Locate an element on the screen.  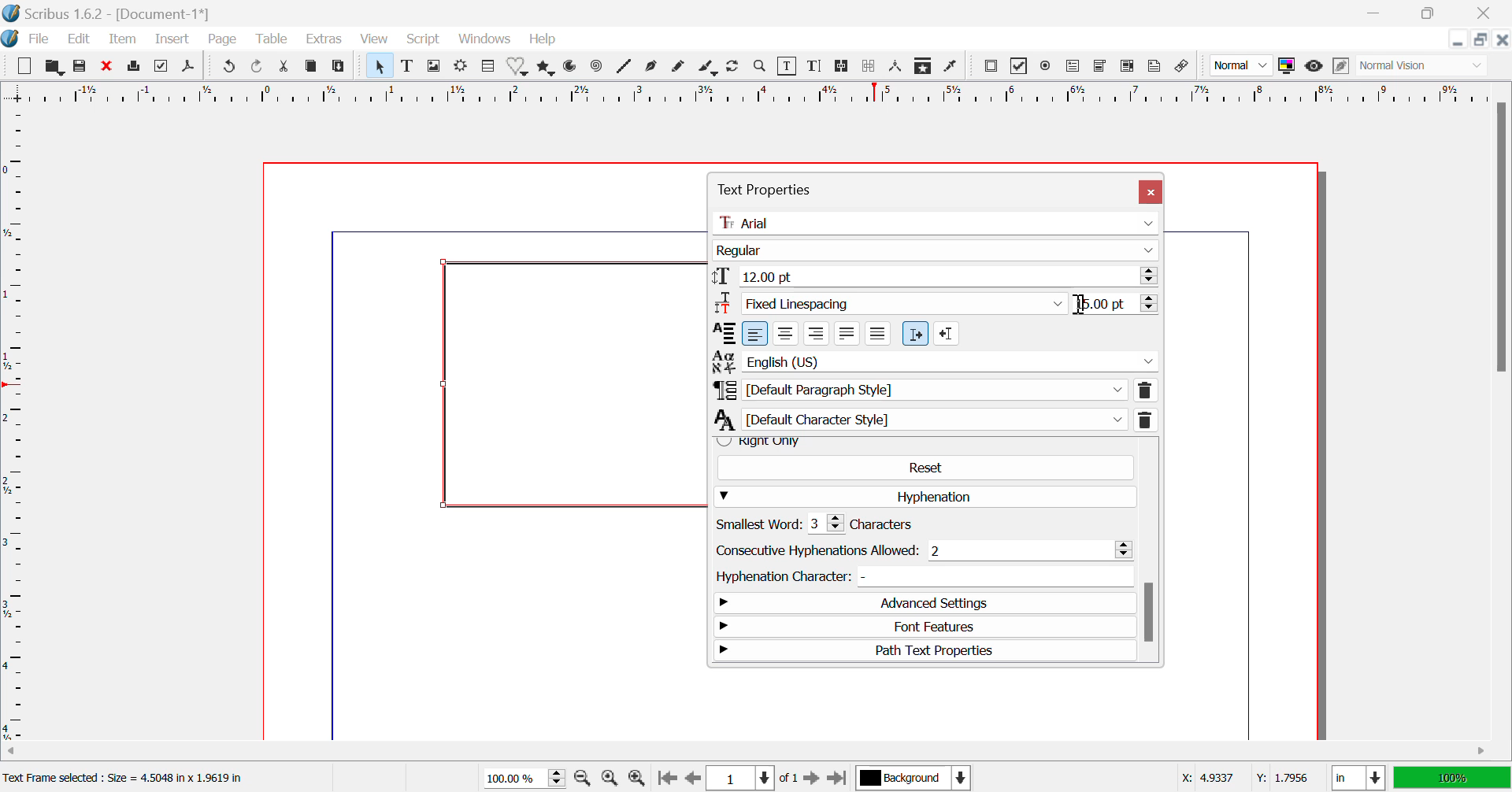
Refresh is located at coordinates (736, 68).